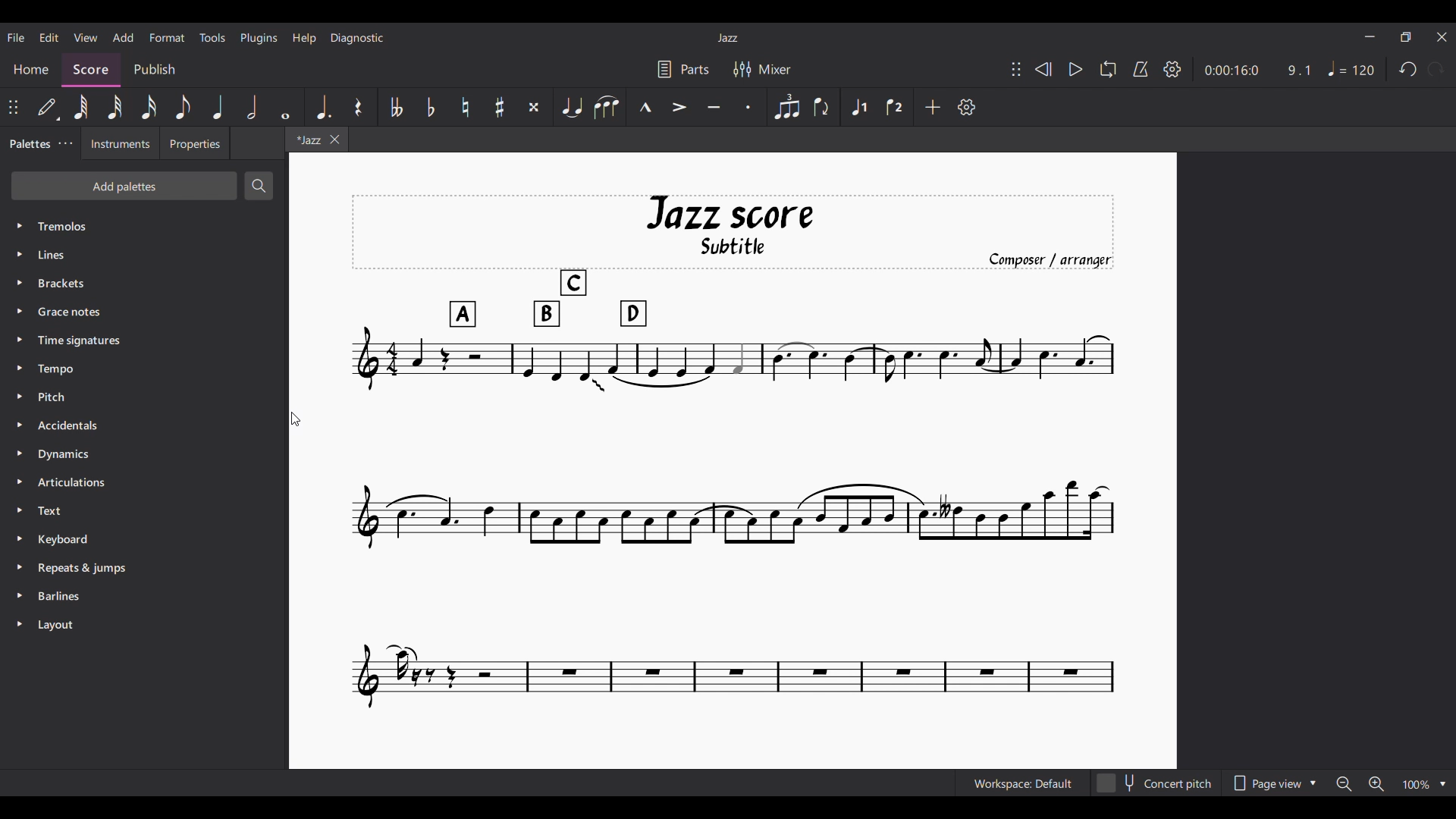 The height and width of the screenshot is (819, 1456). I want to click on Page view otpions, so click(1273, 783).